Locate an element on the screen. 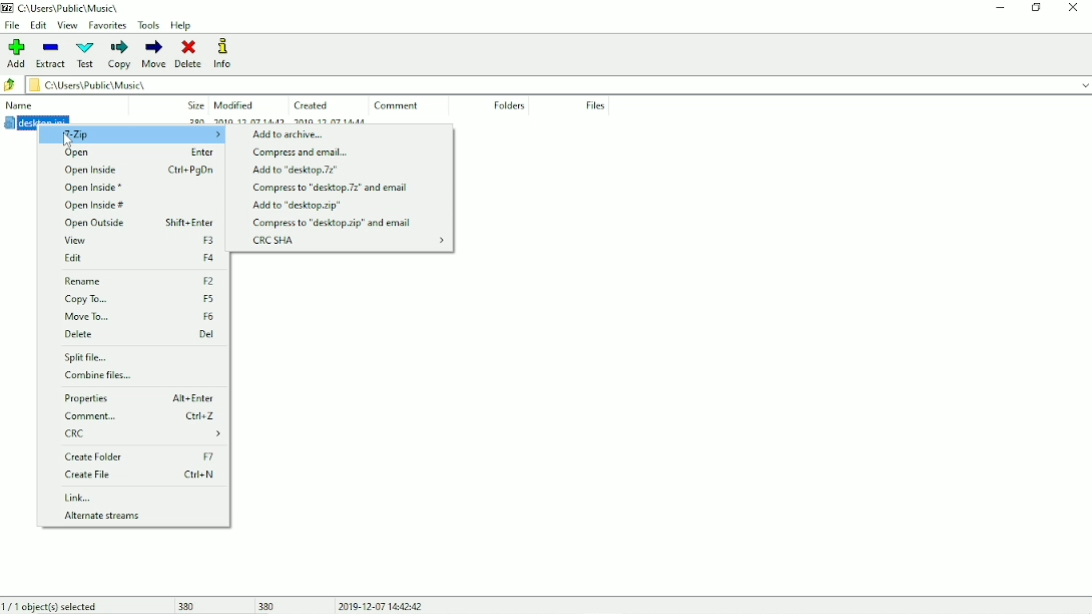 The image size is (1092, 614). Copy To is located at coordinates (141, 299).